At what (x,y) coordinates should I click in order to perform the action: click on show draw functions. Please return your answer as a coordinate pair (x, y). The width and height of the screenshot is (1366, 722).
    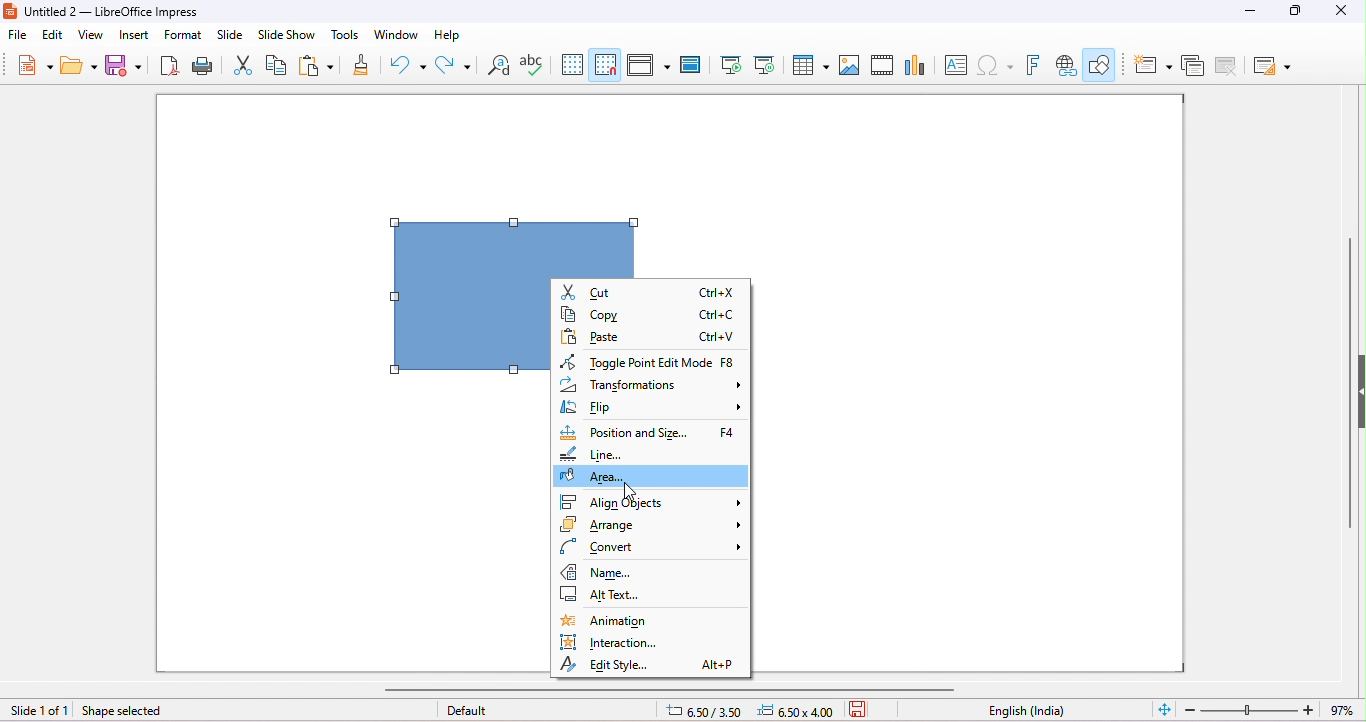
    Looking at the image, I should click on (1101, 63).